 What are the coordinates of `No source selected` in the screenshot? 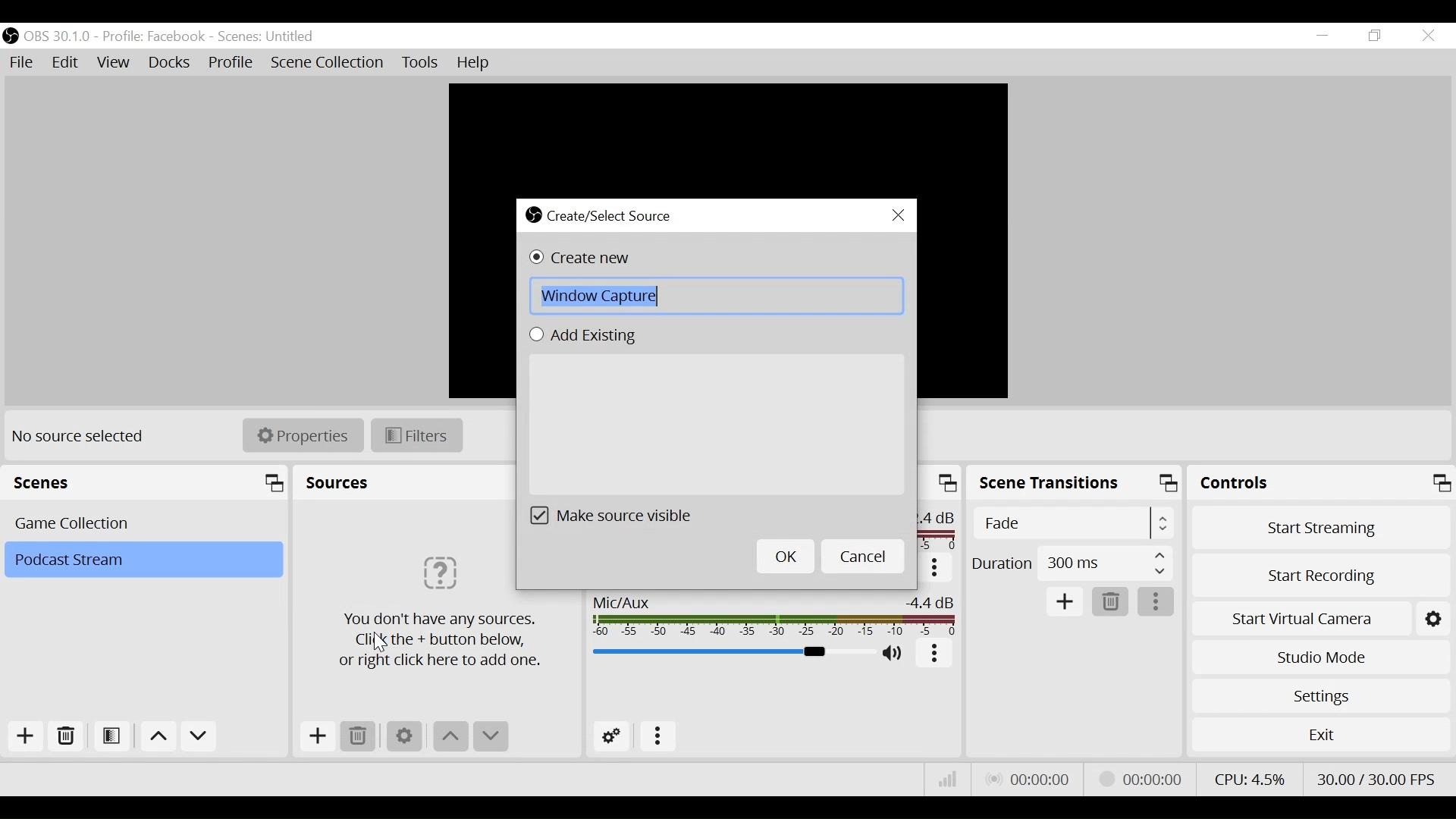 It's located at (88, 435).